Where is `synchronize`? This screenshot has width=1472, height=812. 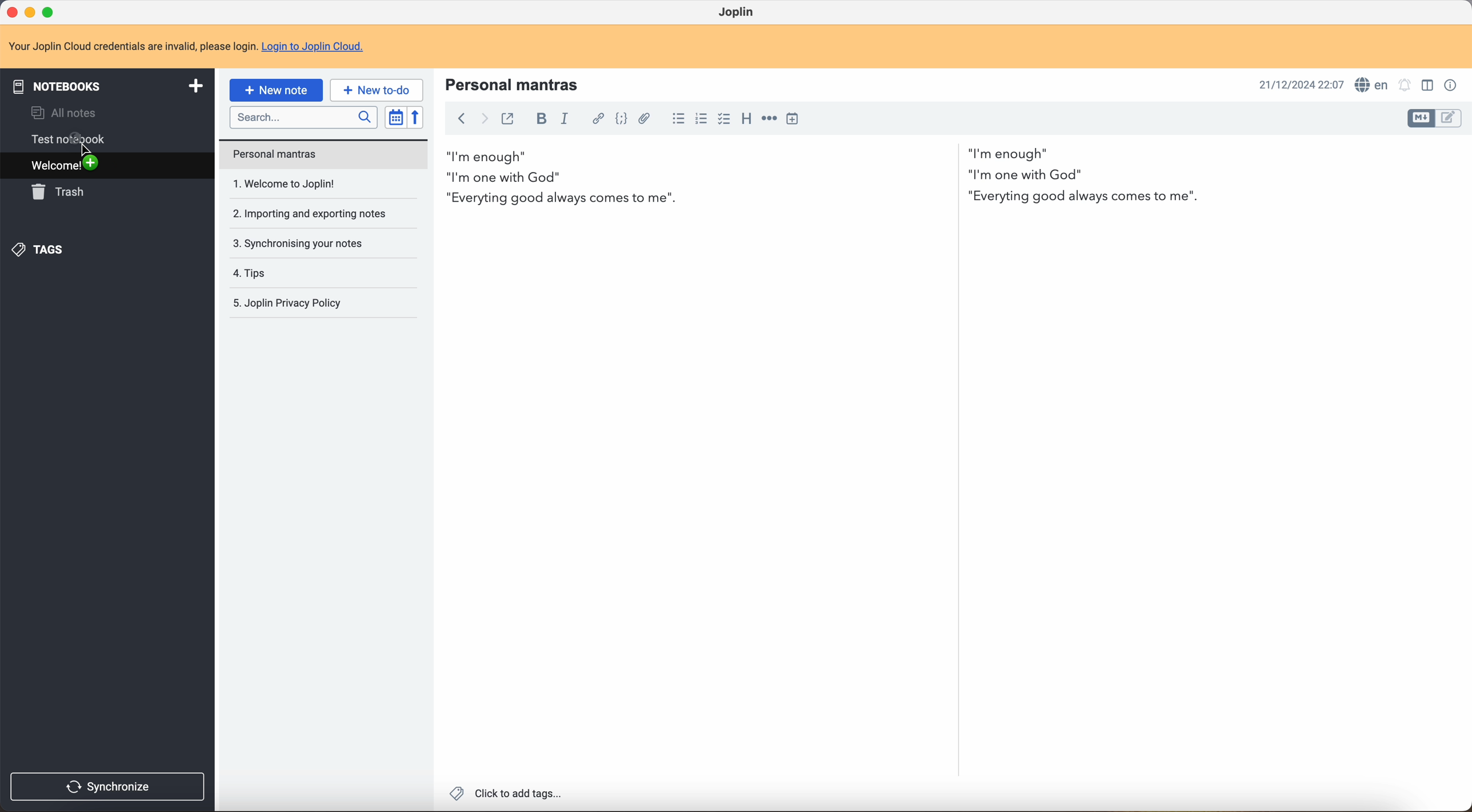
synchronize is located at coordinates (107, 786).